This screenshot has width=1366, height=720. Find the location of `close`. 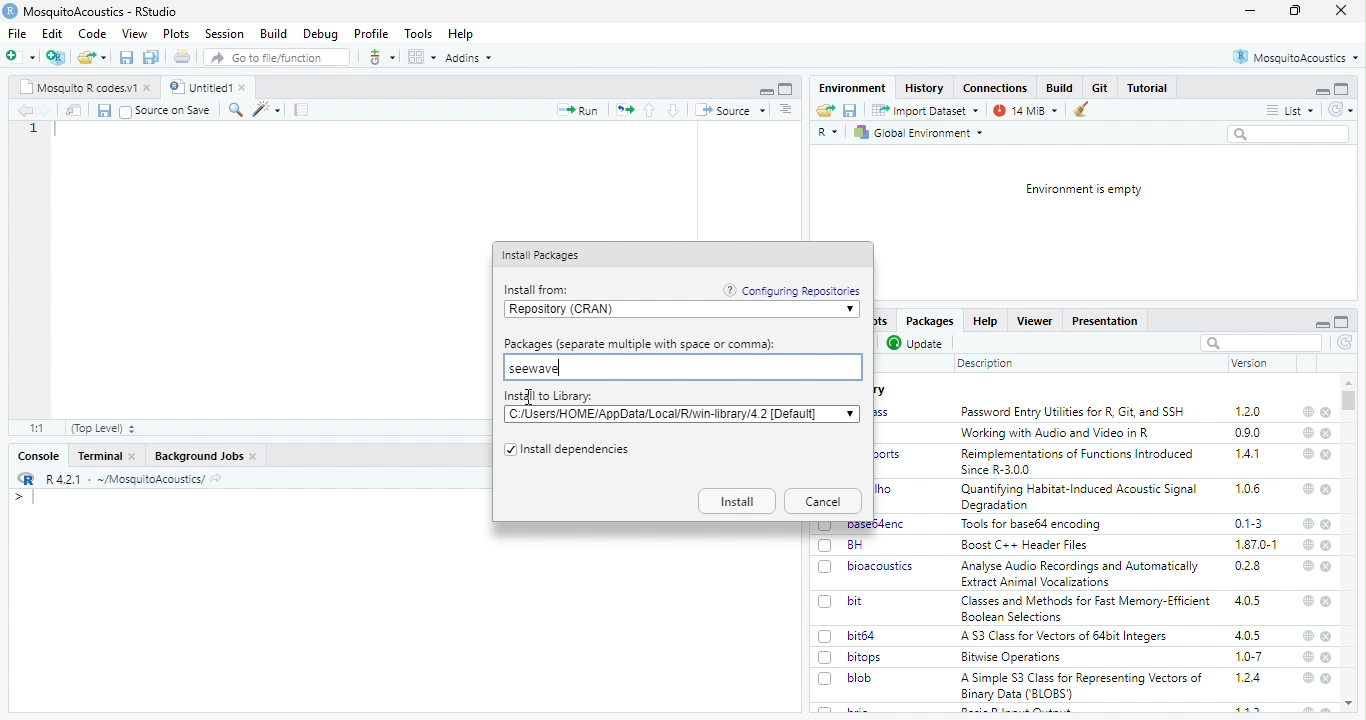

close is located at coordinates (1326, 601).